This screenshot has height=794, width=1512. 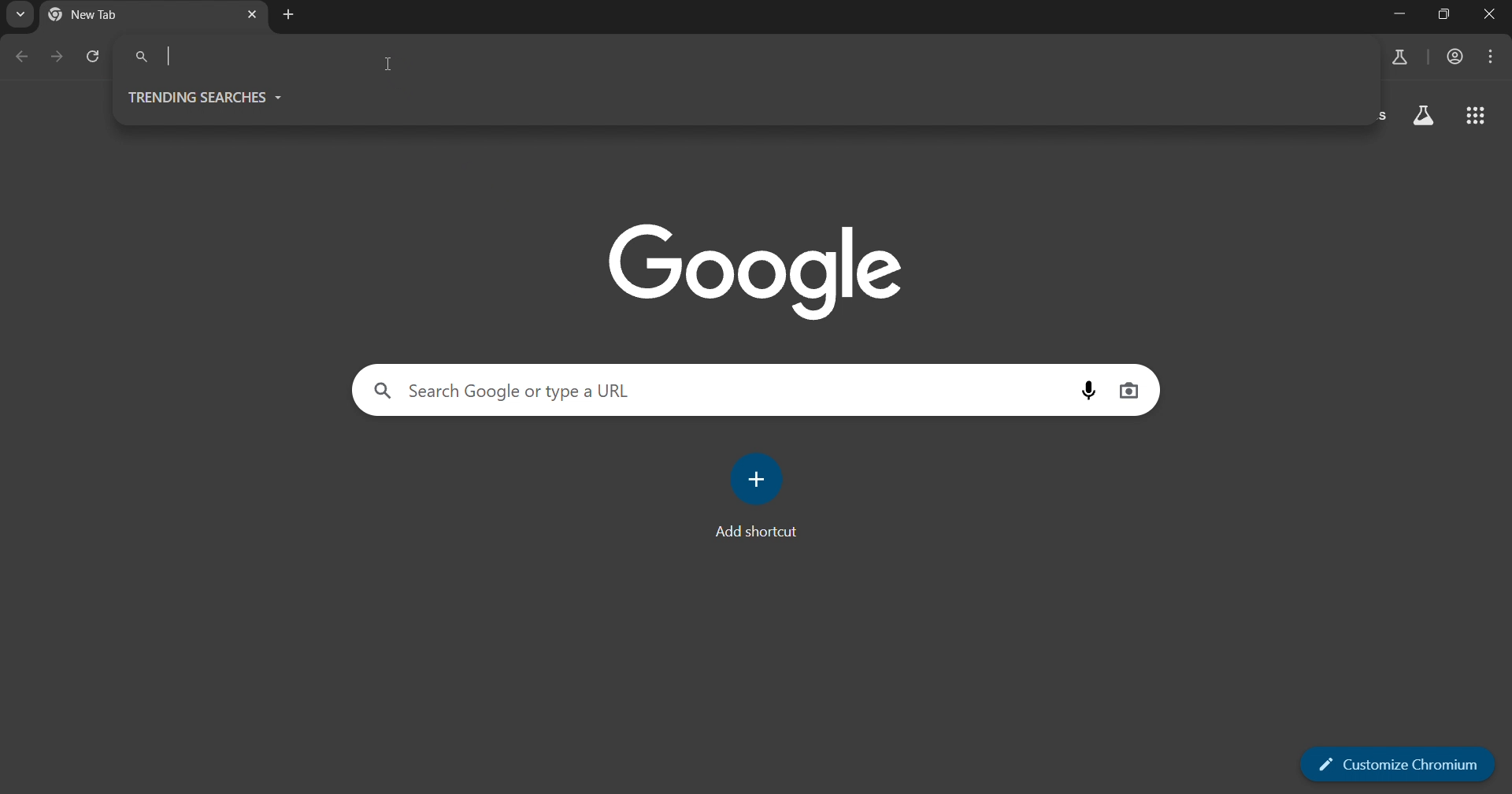 I want to click on customize chromium, so click(x=1398, y=765).